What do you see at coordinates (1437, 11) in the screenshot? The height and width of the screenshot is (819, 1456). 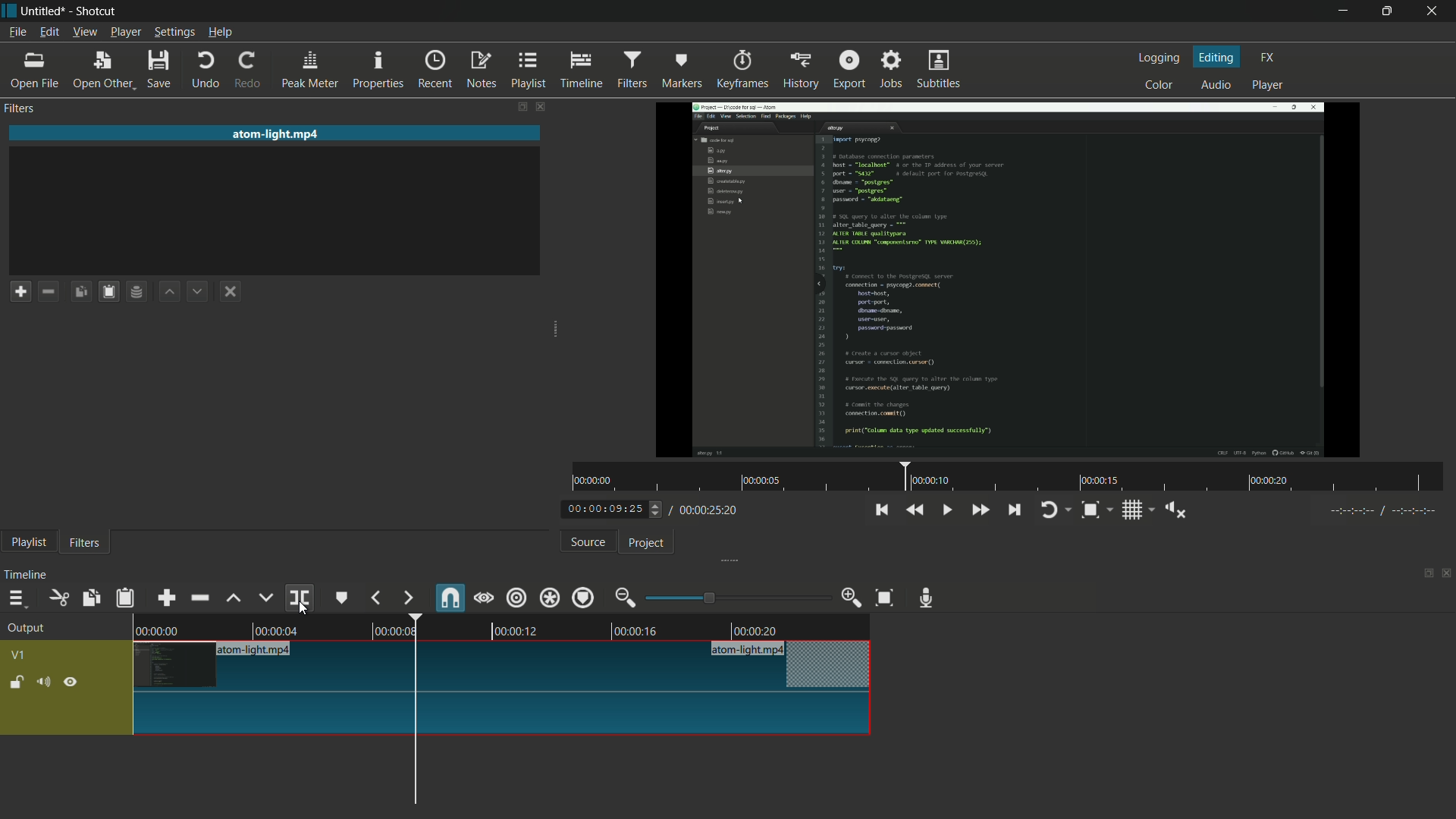 I see `close app` at bounding box center [1437, 11].